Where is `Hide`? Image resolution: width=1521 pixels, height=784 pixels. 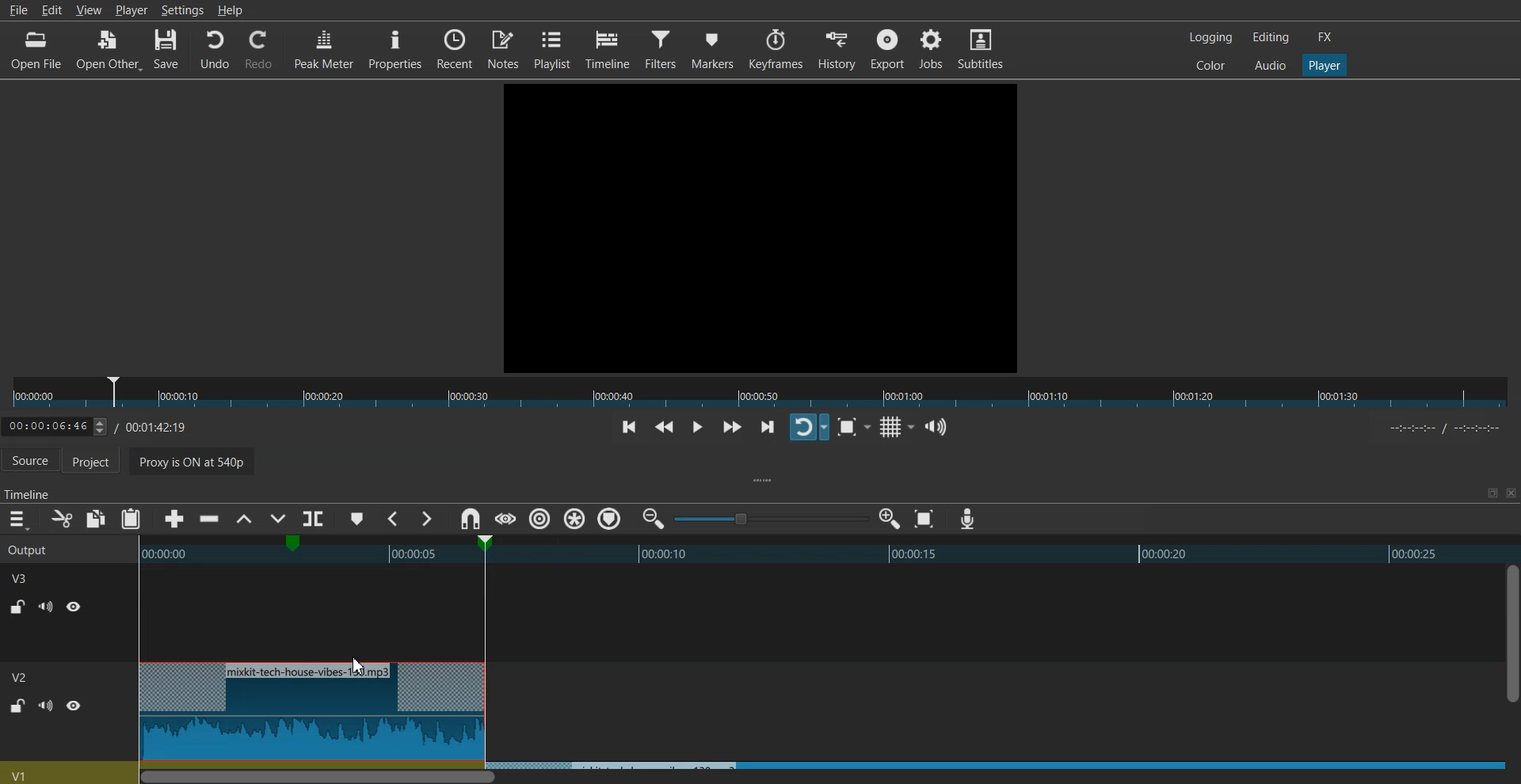 Hide is located at coordinates (74, 606).